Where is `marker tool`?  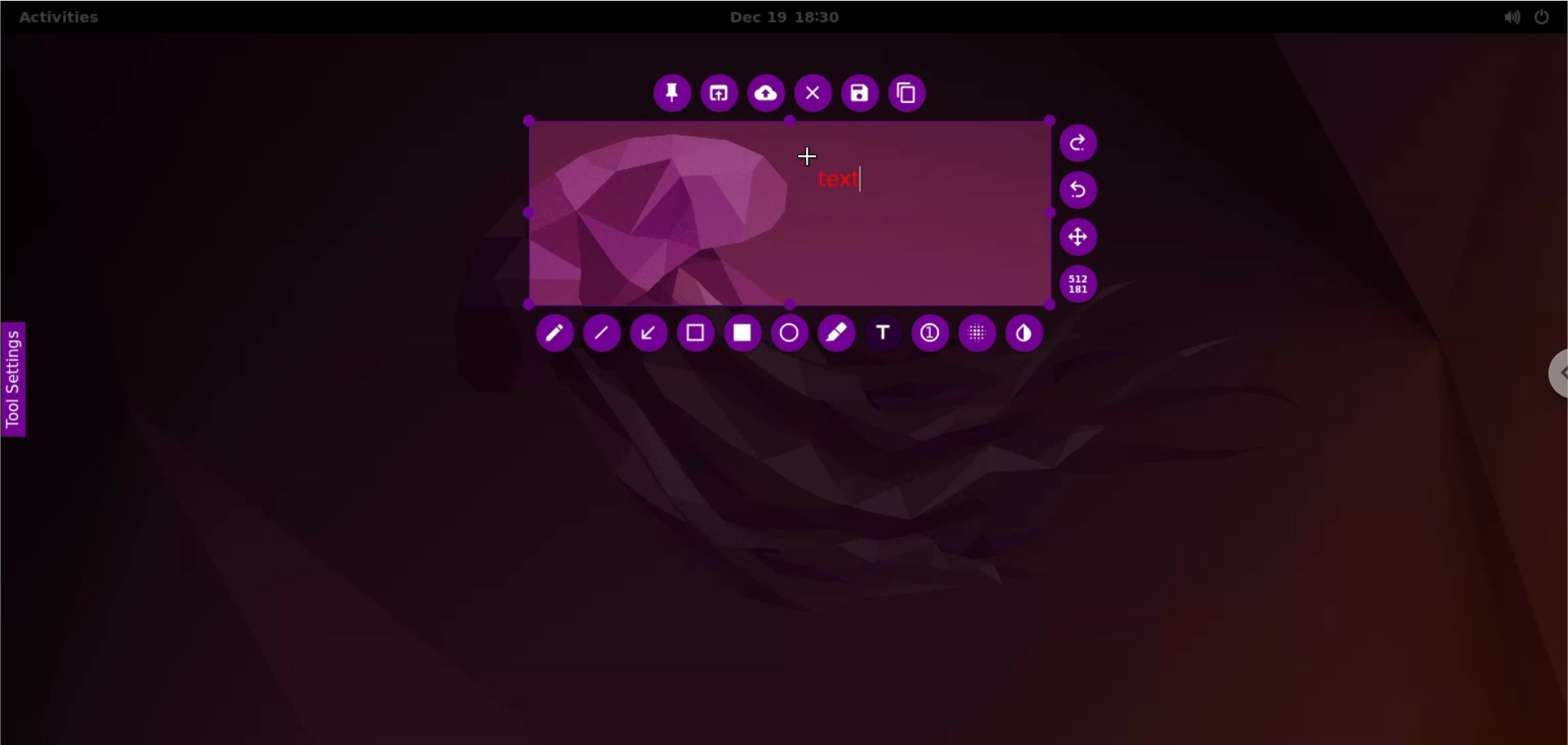 marker tool is located at coordinates (836, 336).